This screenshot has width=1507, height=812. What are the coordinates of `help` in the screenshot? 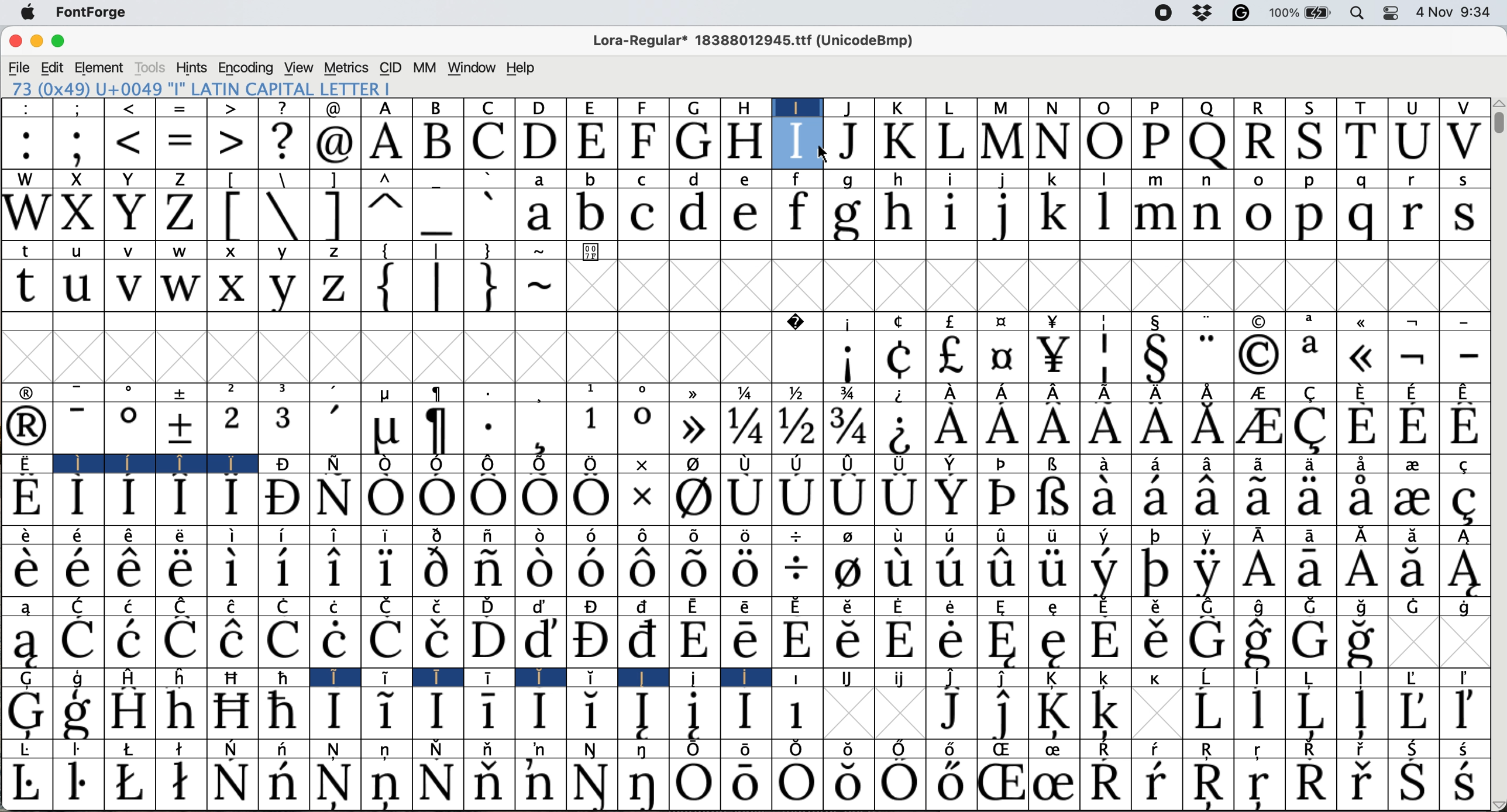 It's located at (519, 68).